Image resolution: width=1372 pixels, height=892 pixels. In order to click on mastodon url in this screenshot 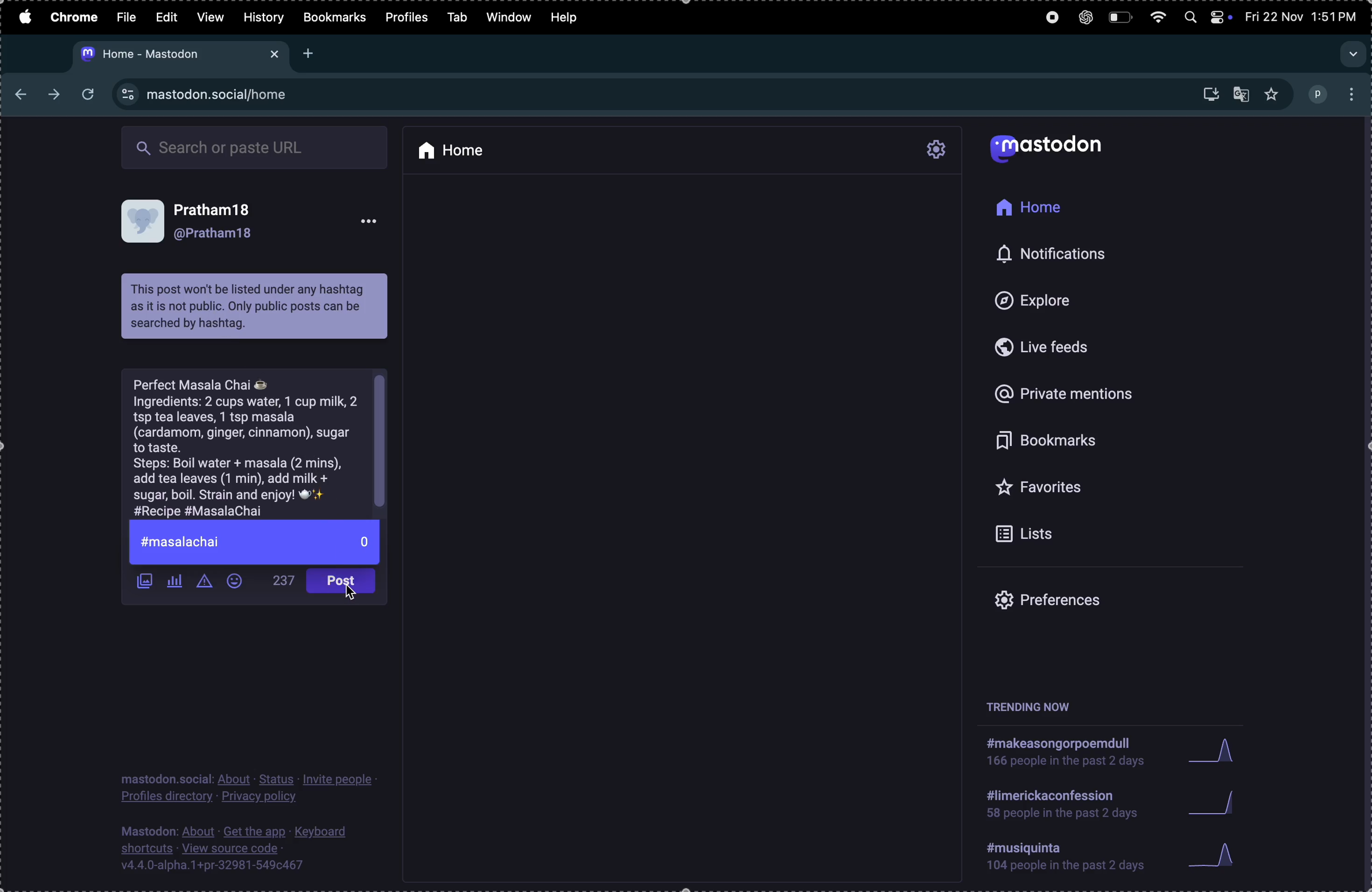, I will do `click(179, 55)`.